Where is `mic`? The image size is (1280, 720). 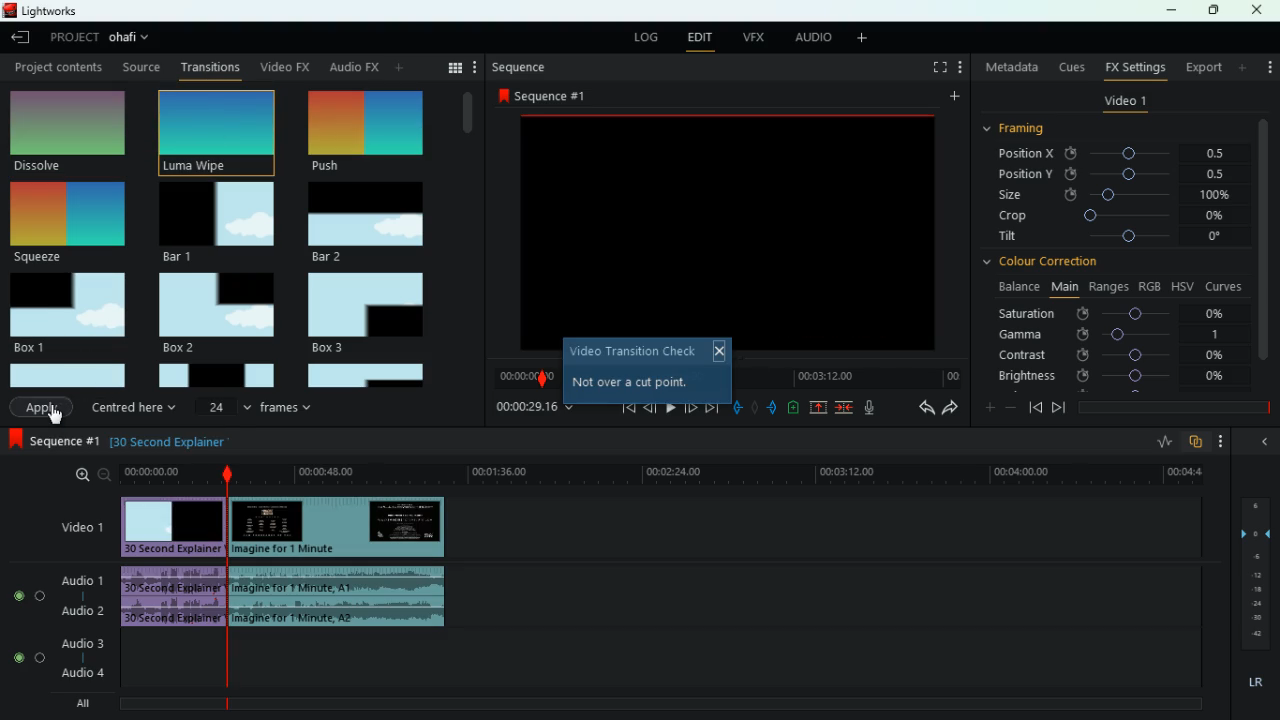 mic is located at coordinates (878, 409).